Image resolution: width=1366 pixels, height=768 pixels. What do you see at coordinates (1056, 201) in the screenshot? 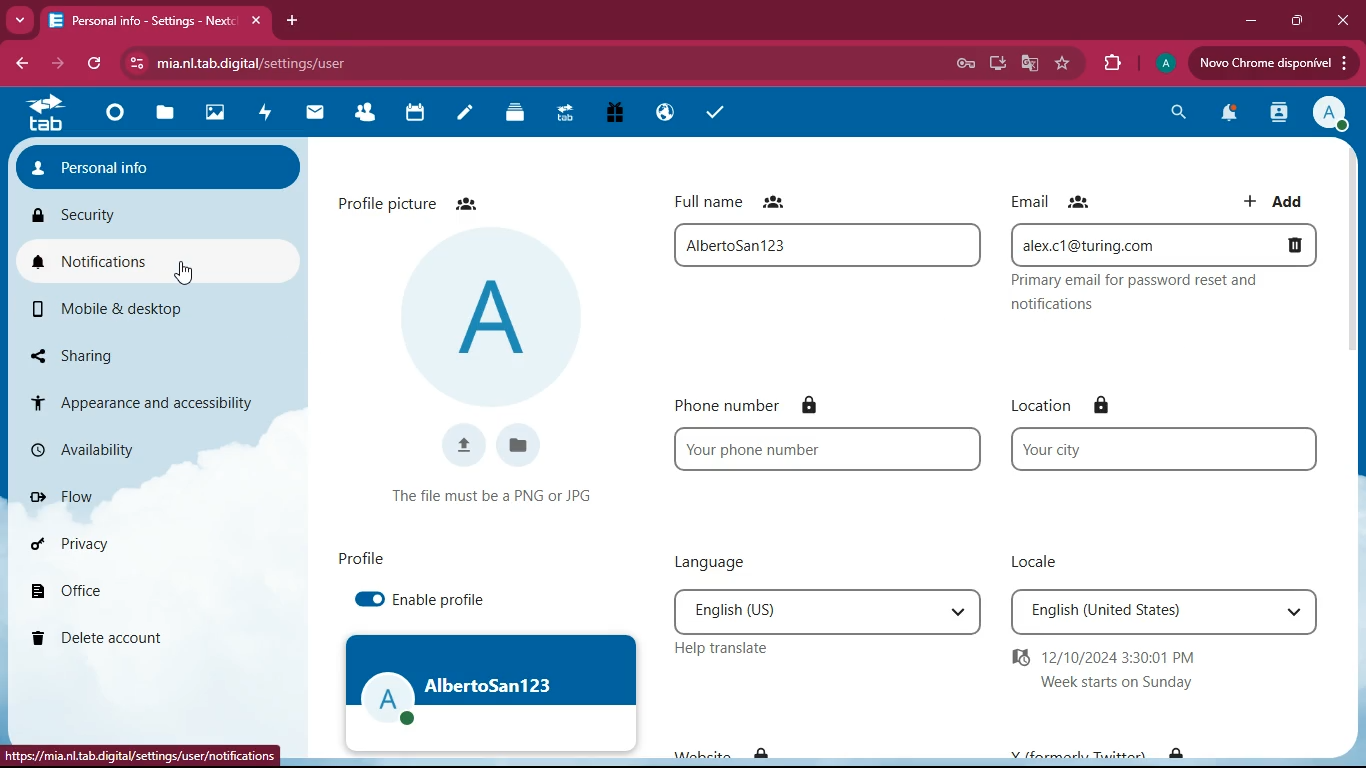
I see `email` at bounding box center [1056, 201].